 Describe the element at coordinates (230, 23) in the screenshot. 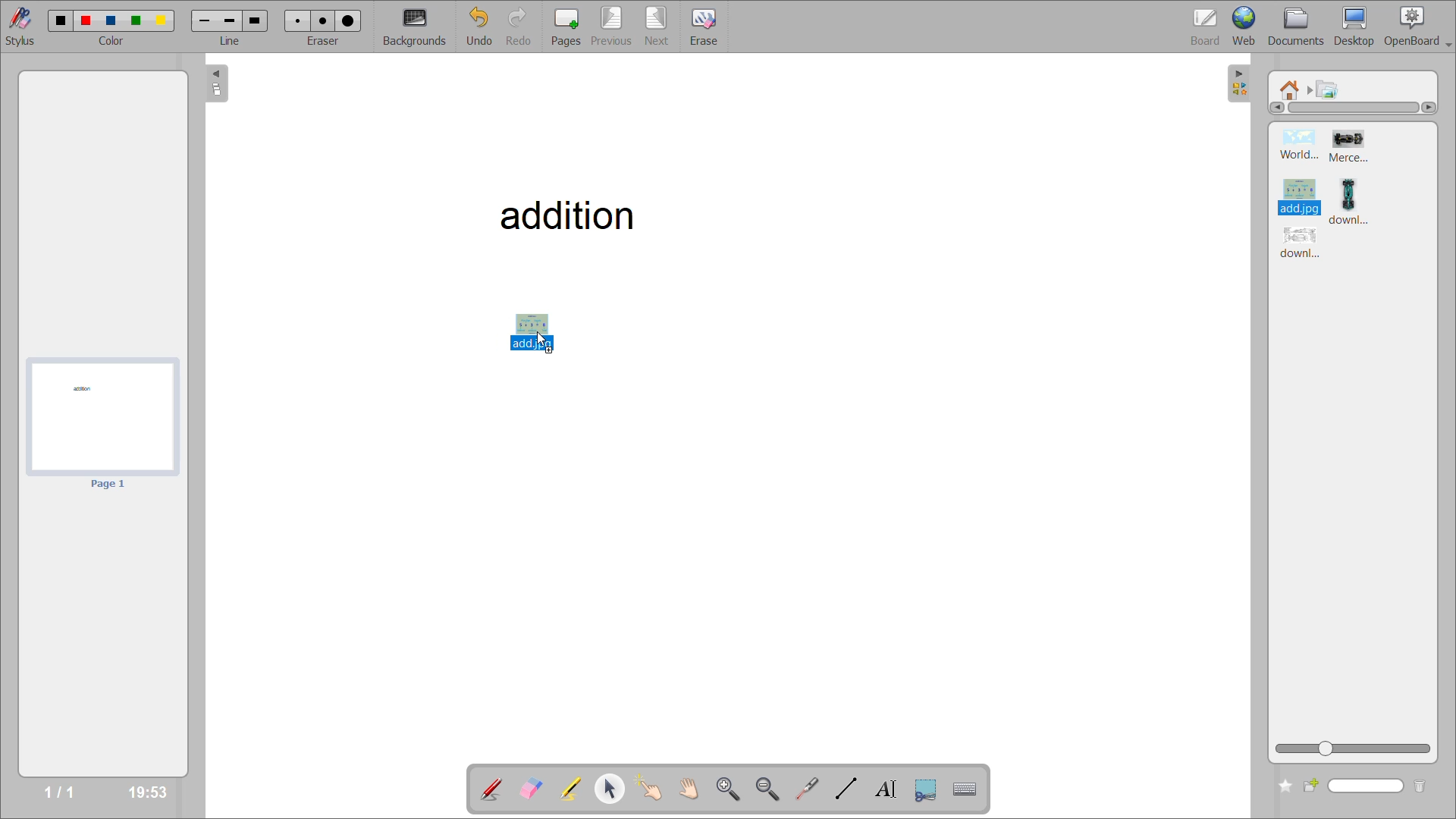

I see `line 2` at that location.